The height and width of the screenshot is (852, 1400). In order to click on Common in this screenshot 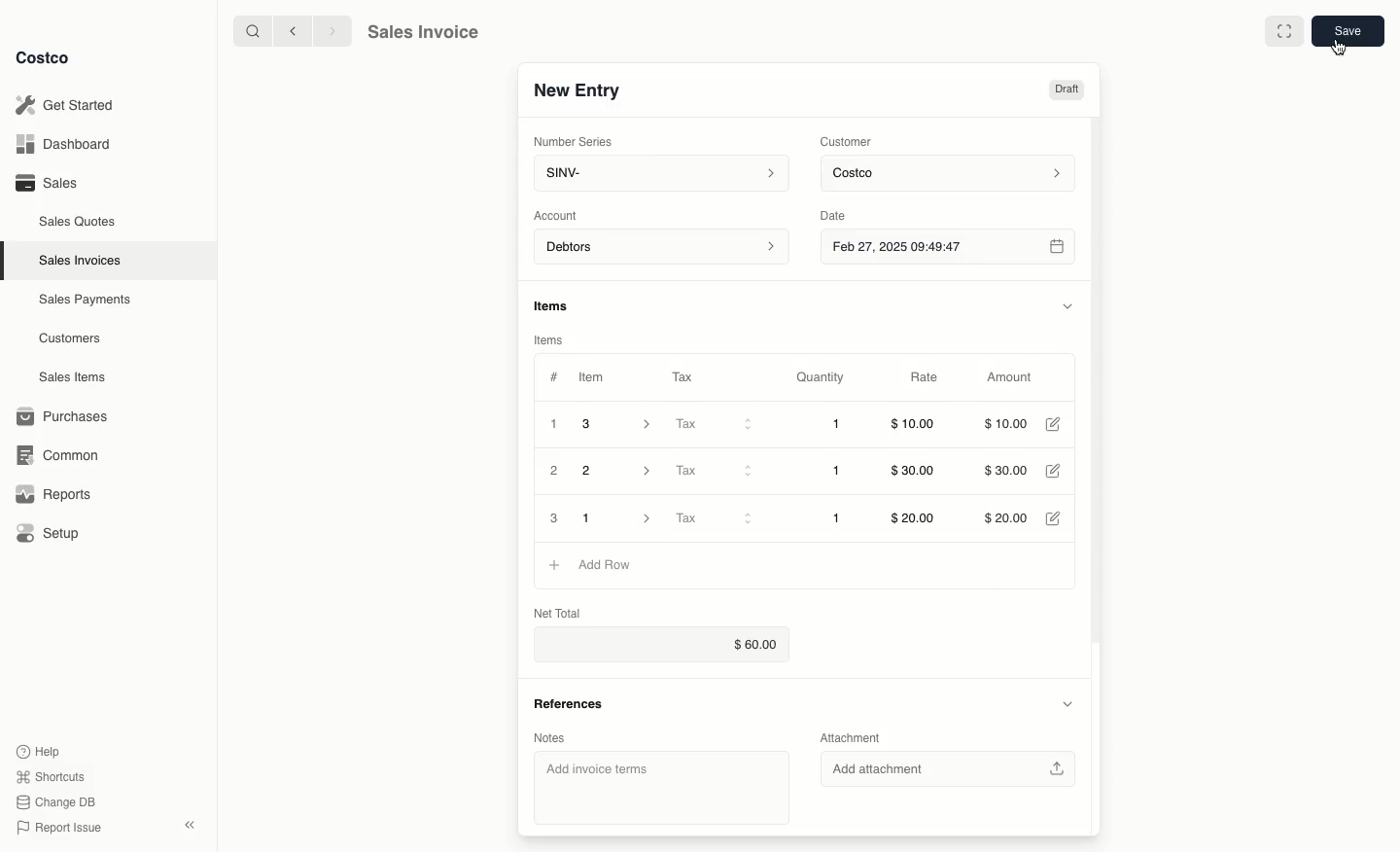, I will do `click(53, 453)`.